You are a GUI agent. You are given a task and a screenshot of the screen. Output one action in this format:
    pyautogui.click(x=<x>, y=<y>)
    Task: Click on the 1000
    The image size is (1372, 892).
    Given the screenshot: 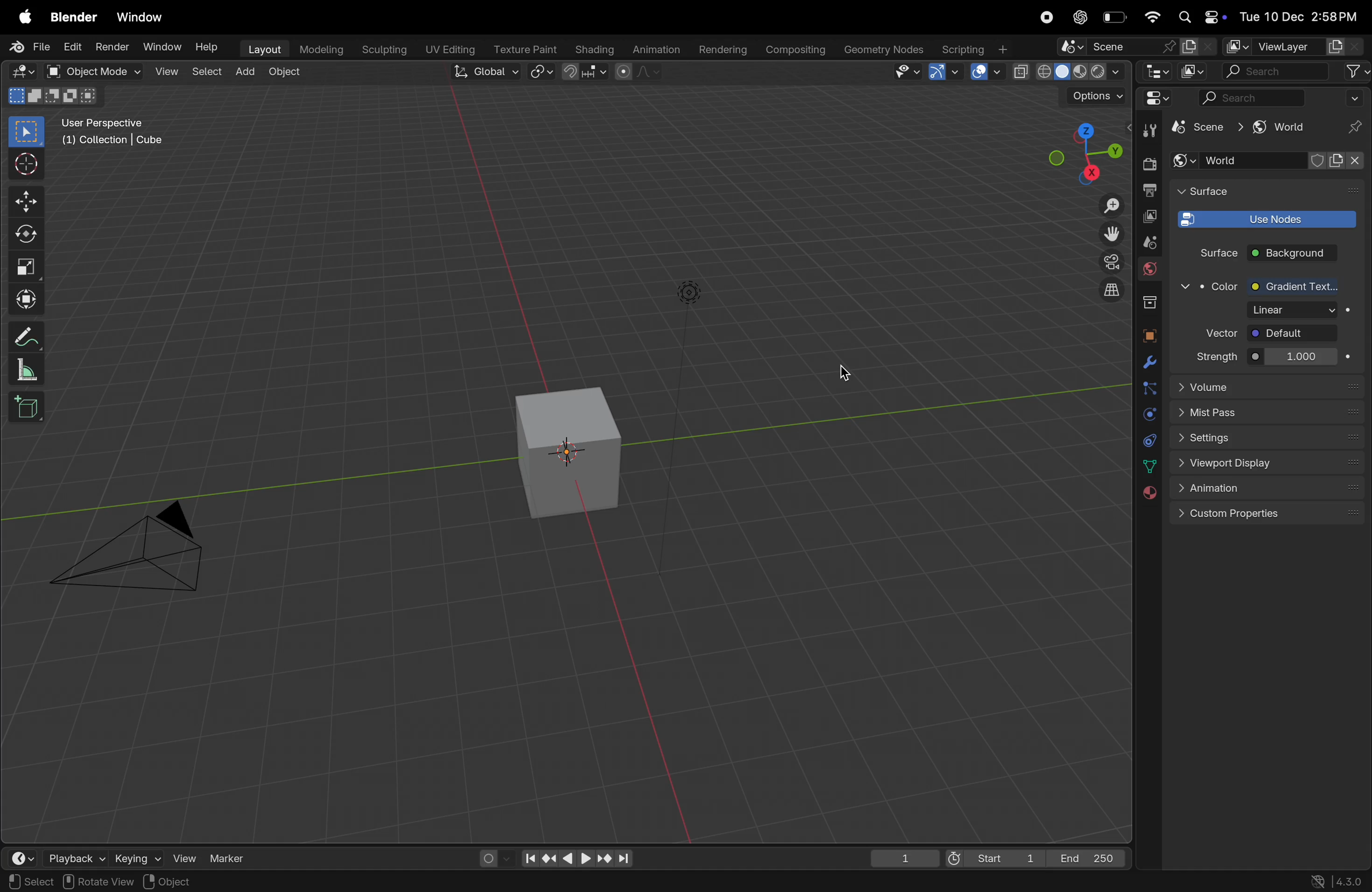 What is the action you would take?
    pyautogui.click(x=1299, y=311)
    